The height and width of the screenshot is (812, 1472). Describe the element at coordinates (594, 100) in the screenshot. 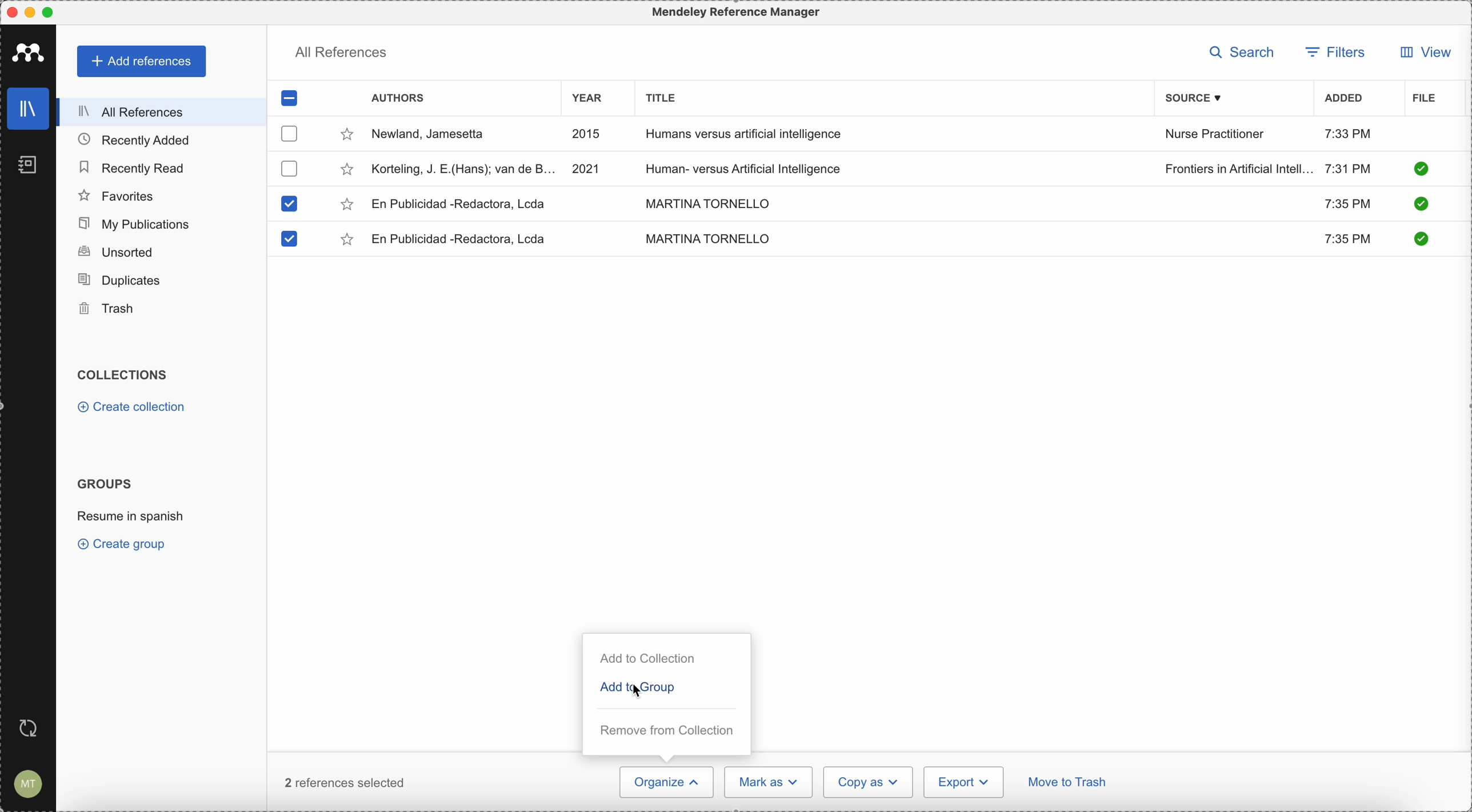

I see `year` at that location.